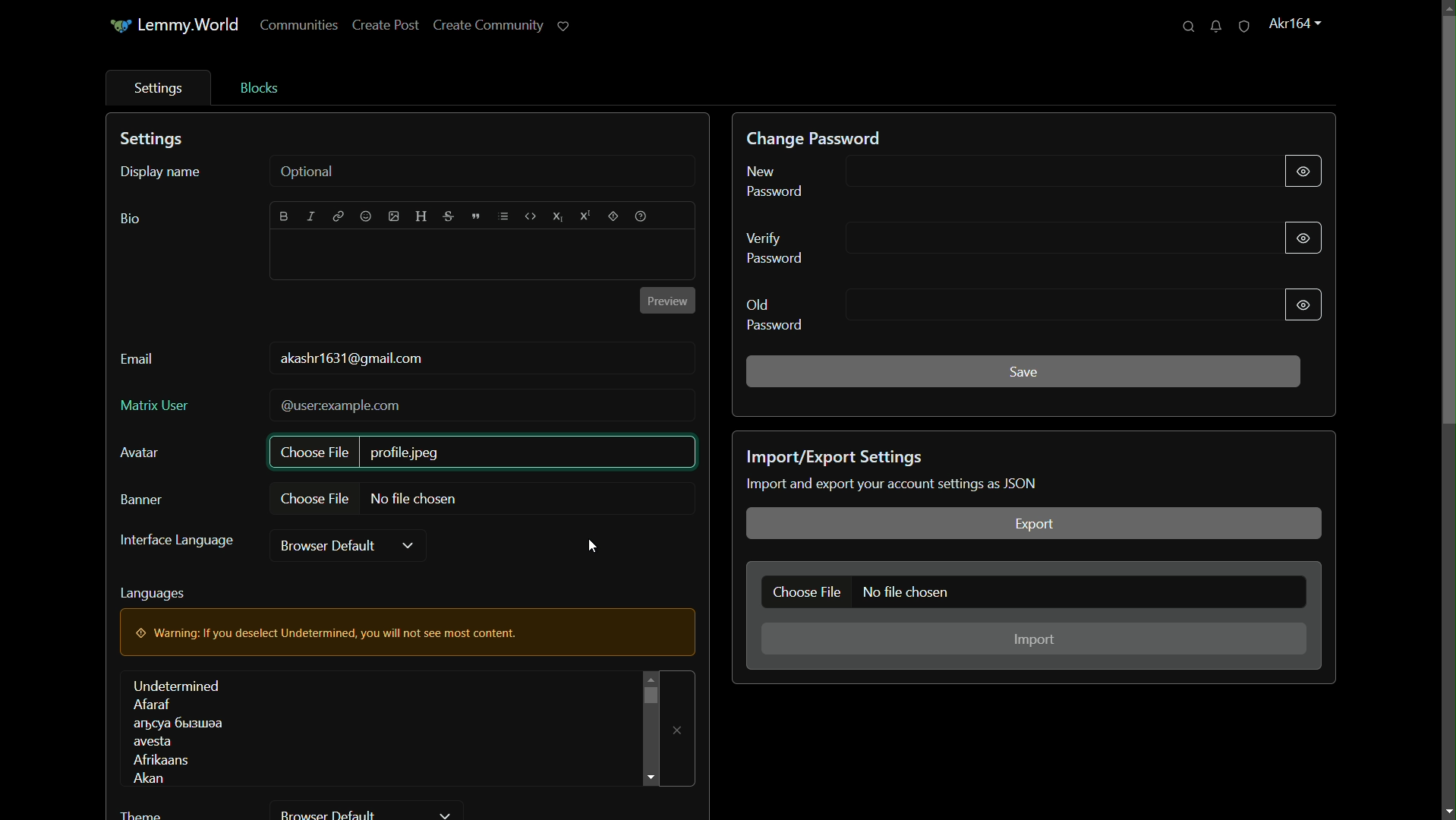 This screenshot has width=1456, height=820. I want to click on strikethrough, so click(449, 219).